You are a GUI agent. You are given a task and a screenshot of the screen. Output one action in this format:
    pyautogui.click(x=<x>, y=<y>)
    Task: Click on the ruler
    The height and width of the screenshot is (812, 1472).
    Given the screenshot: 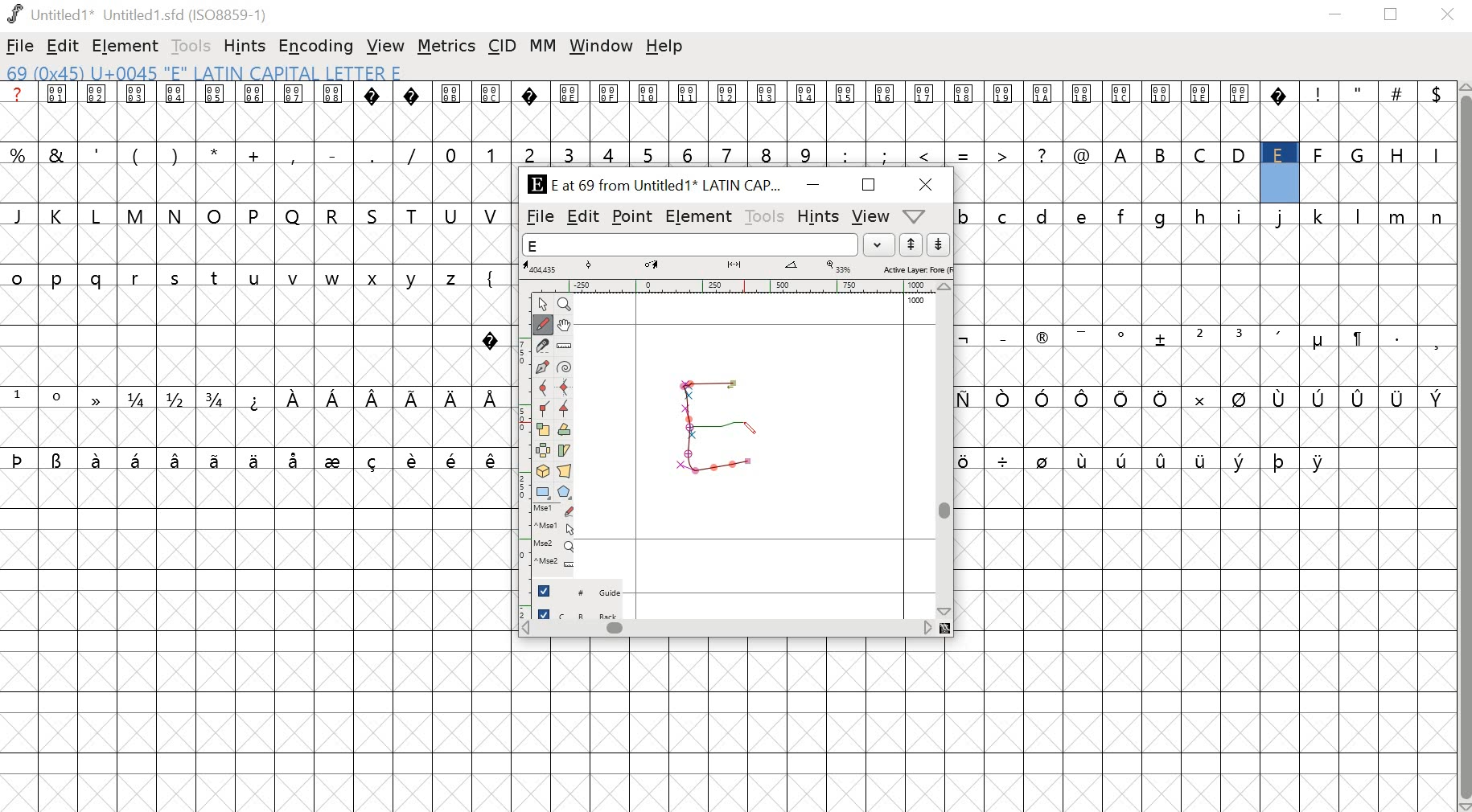 What is the action you would take?
    pyautogui.click(x=731, y=285)
    